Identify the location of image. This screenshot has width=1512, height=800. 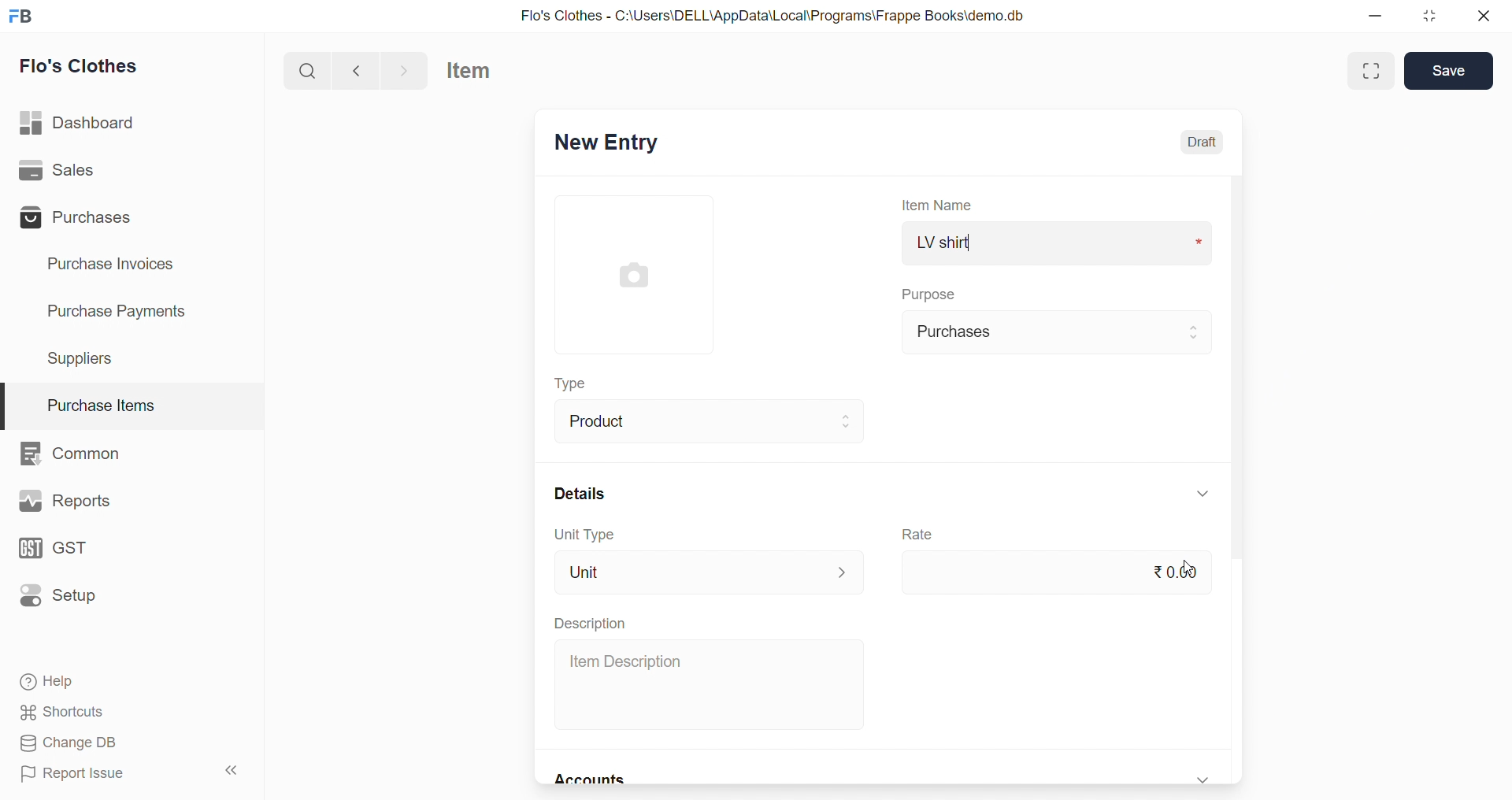
(637, 275).